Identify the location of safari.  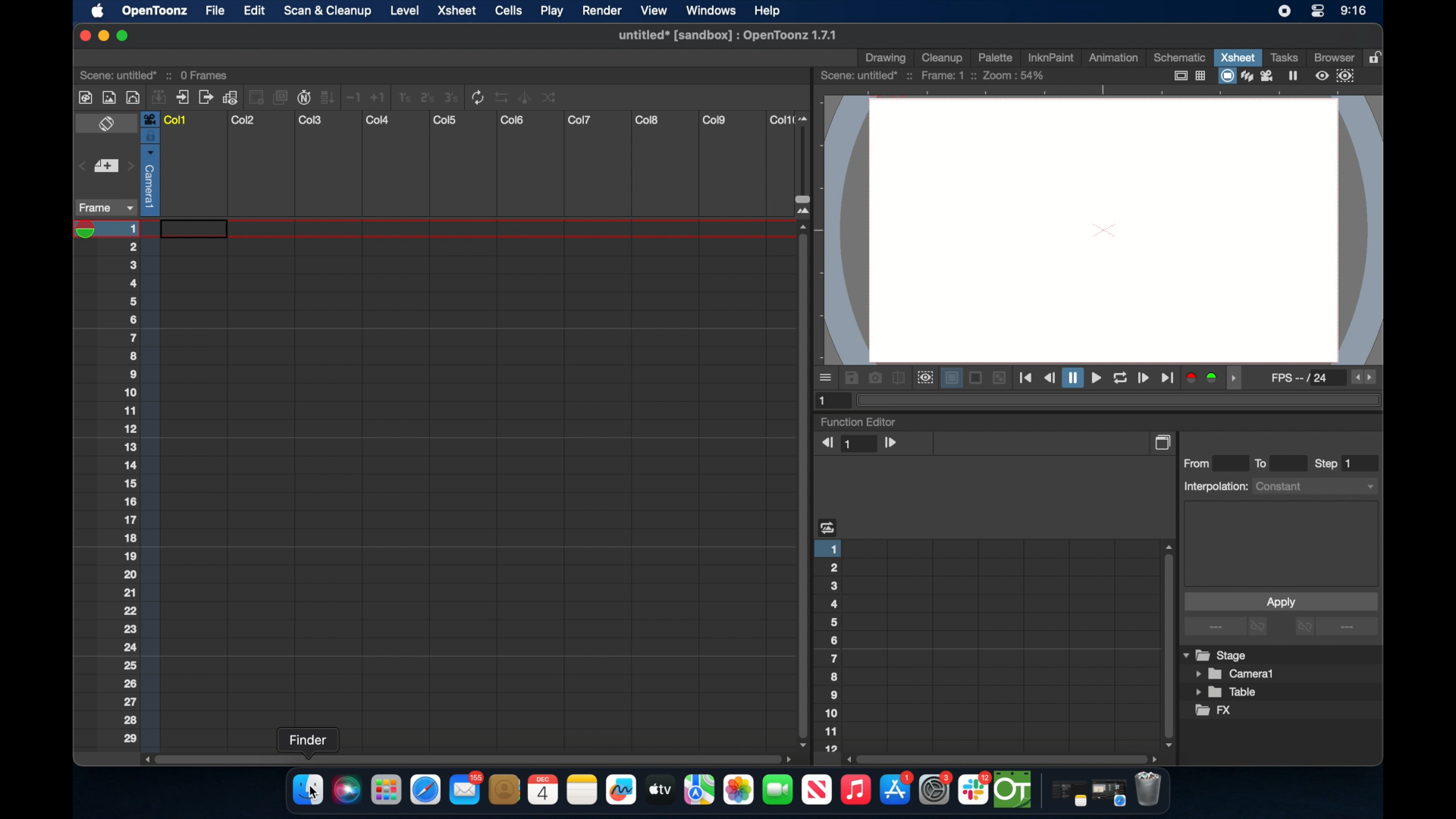
(426, 790).